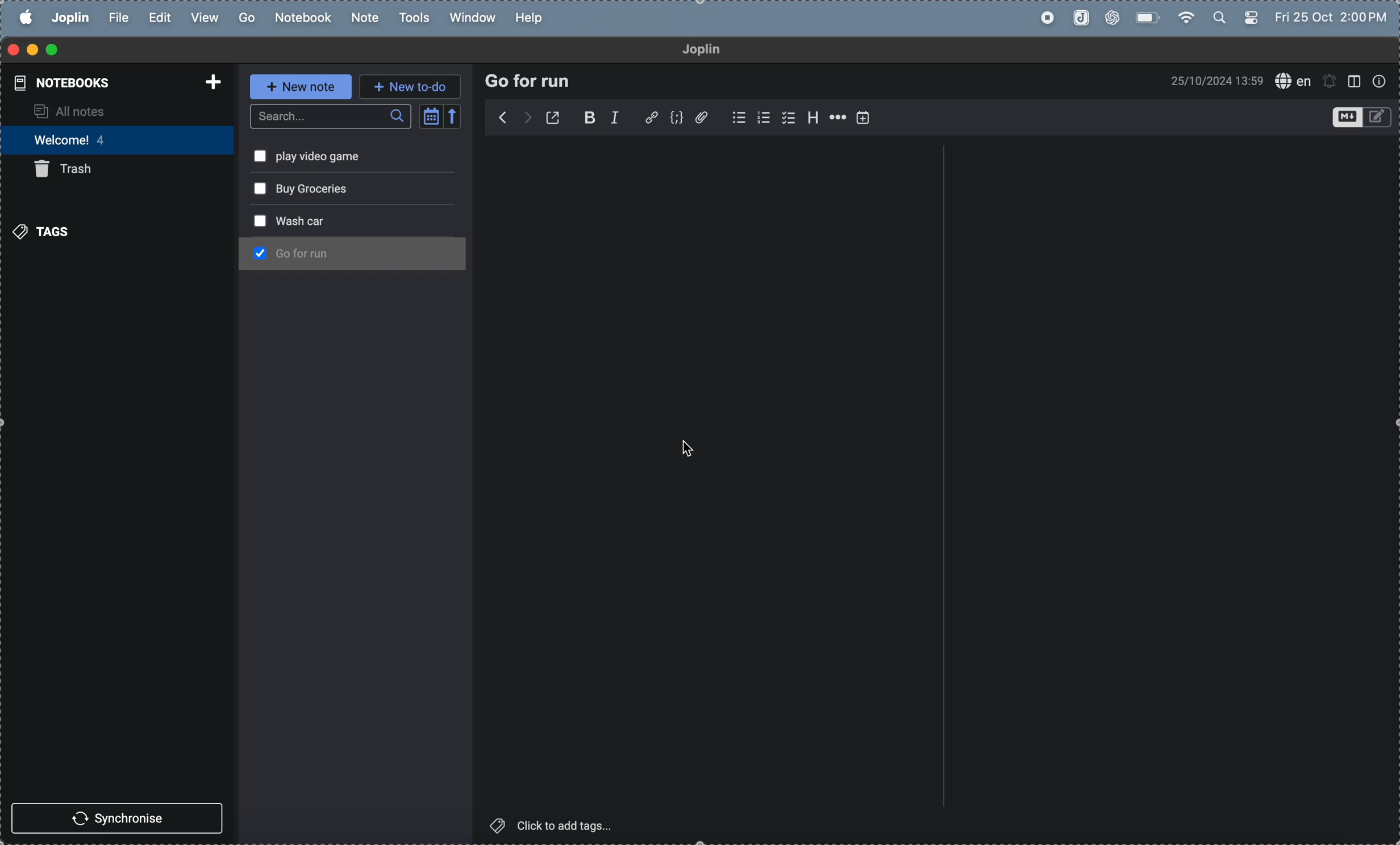  I want to click on chat gpt, so click(1114, 18).